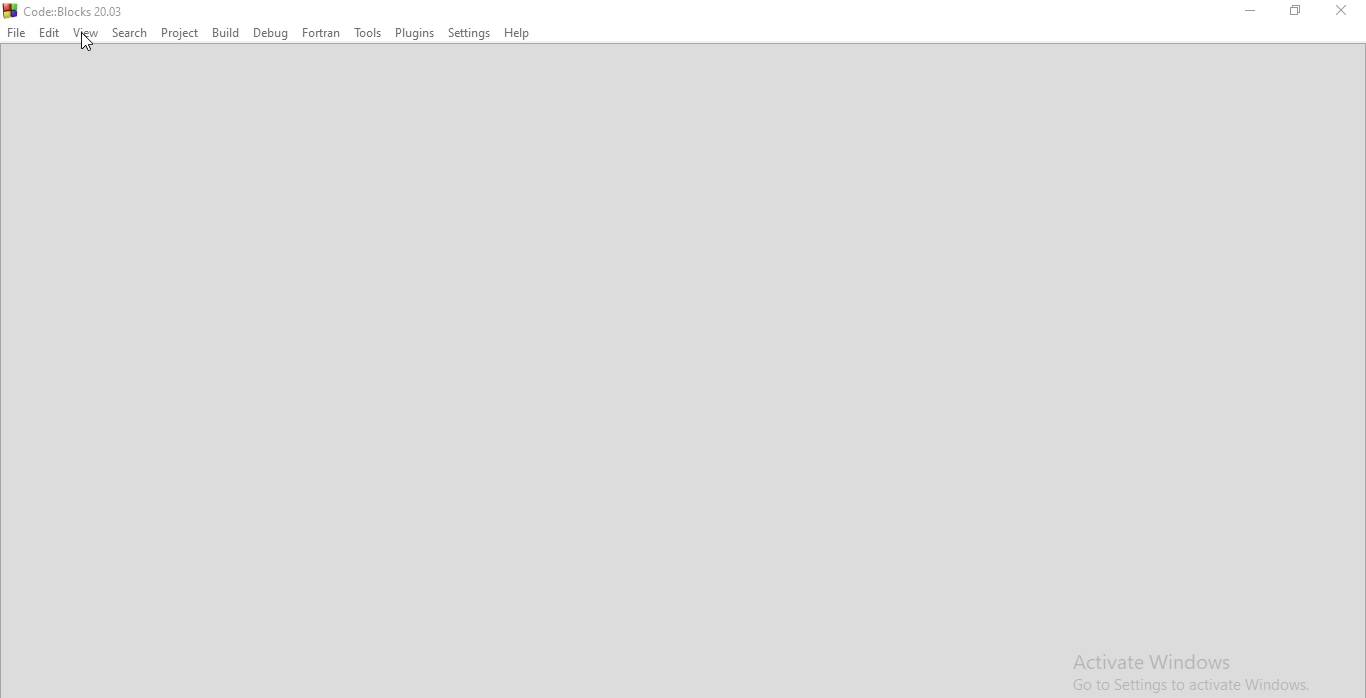  What do you see at coordinates (1251, 11) in the screenshot?
I see `Minimize` at bounding box center [1251, 11].